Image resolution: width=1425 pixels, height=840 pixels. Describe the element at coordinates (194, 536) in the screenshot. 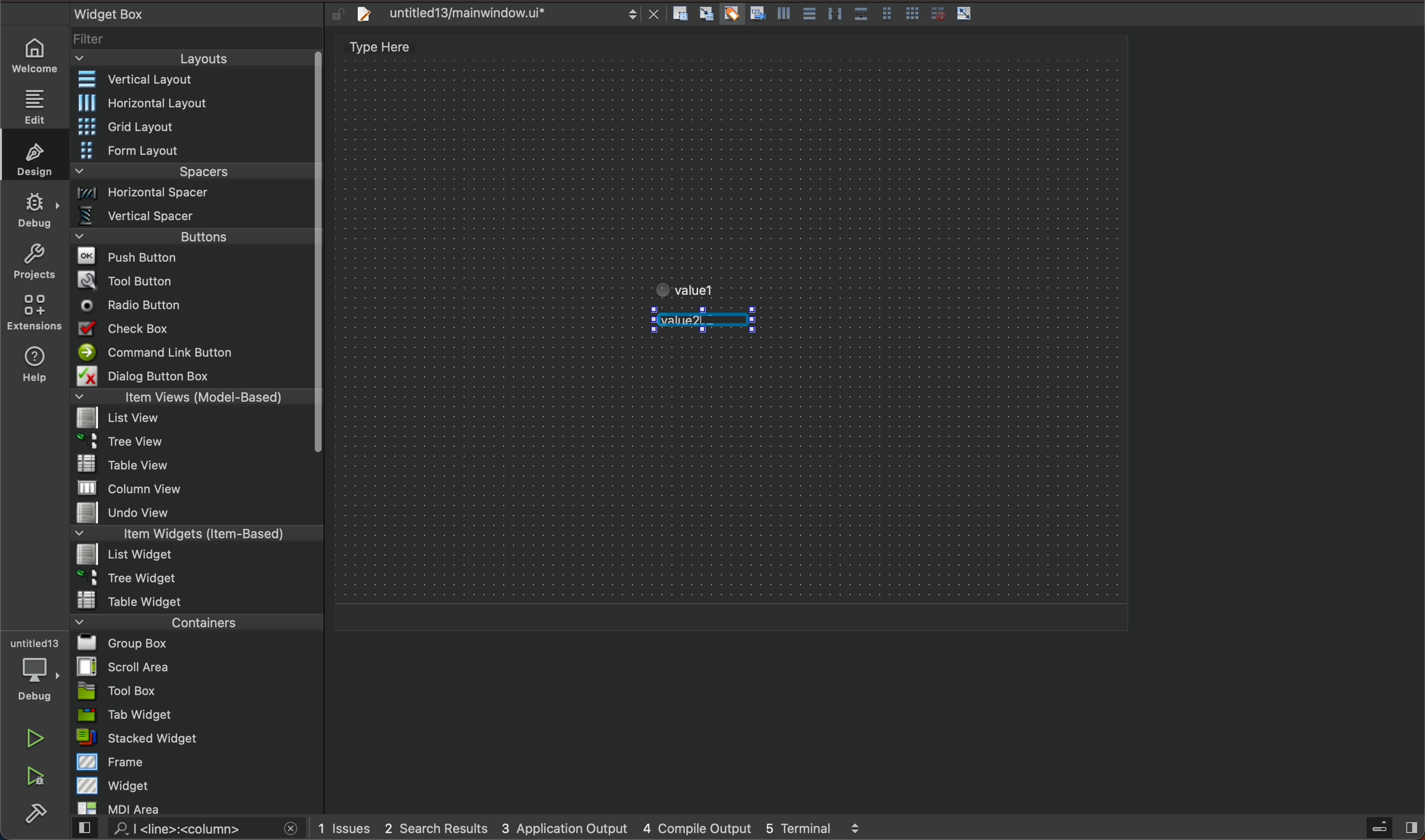

I see `item widget` at that location.